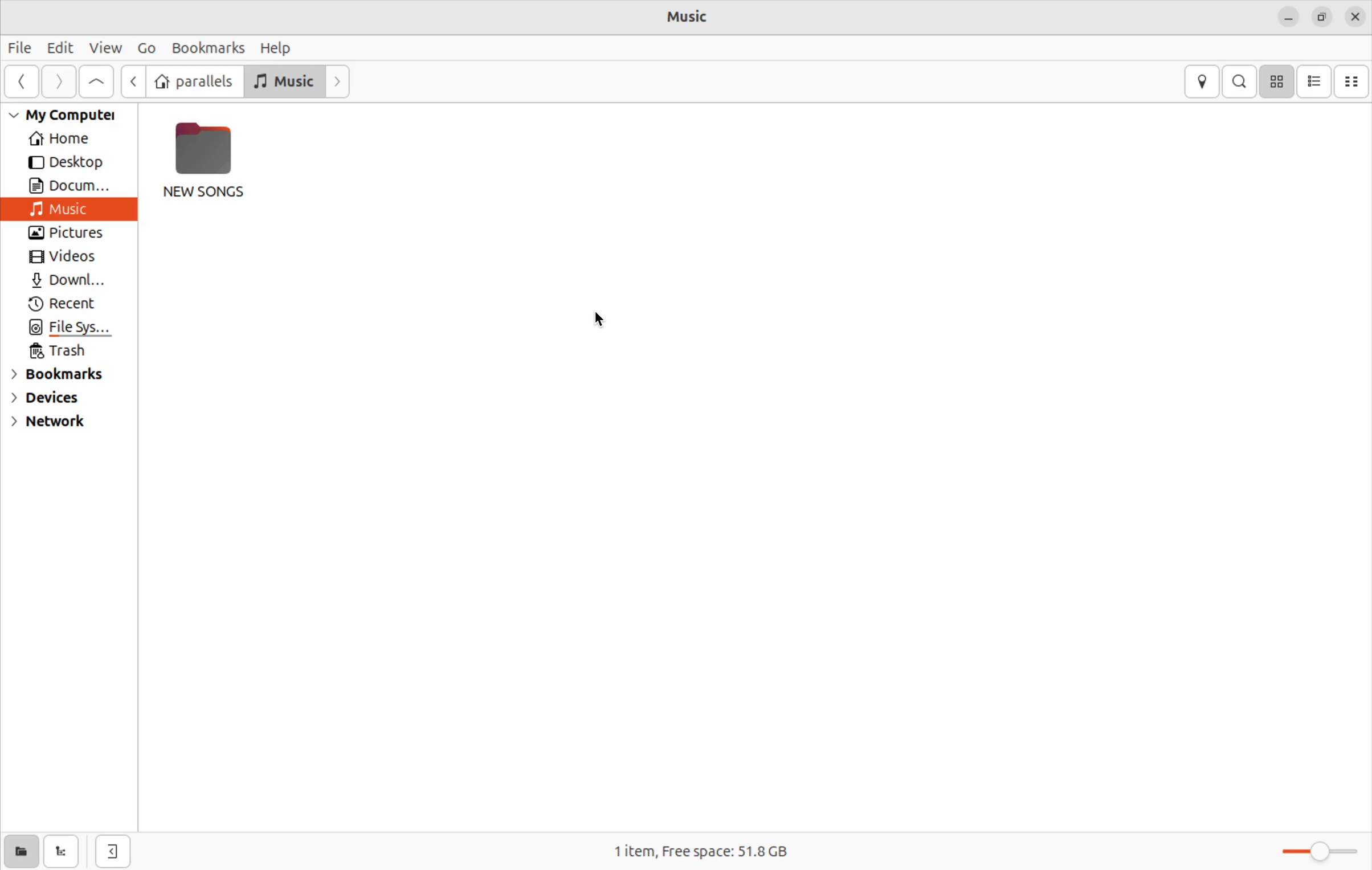 The width and height of the screenshot is (1372, 870). Describe the element at coordinates (193, 81) in the screenshot. I see `parallels` at that location.